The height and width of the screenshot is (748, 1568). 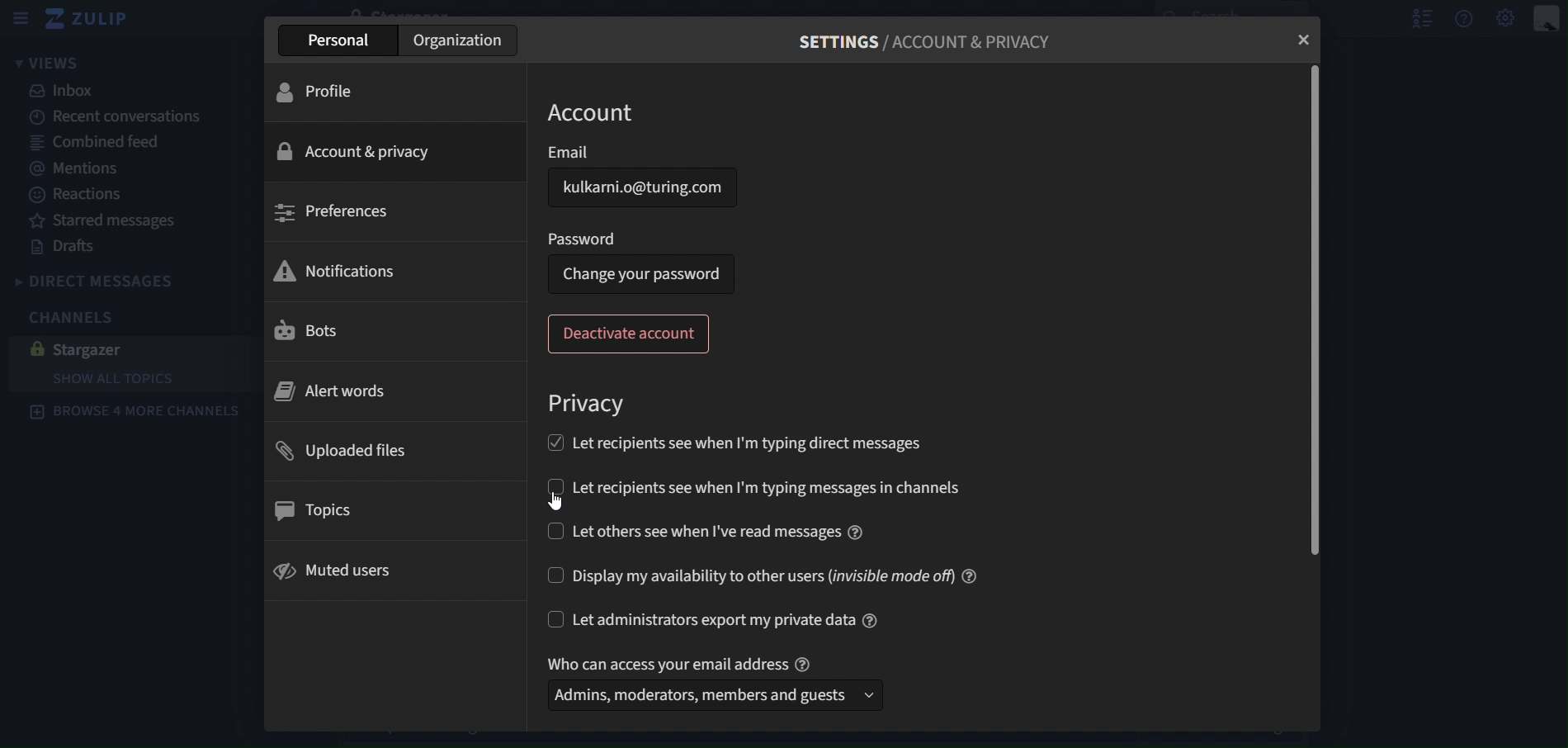 What do you see at coordinates (592, 113) in the screenshot?
I see `account` at bounding box center [592, 113].